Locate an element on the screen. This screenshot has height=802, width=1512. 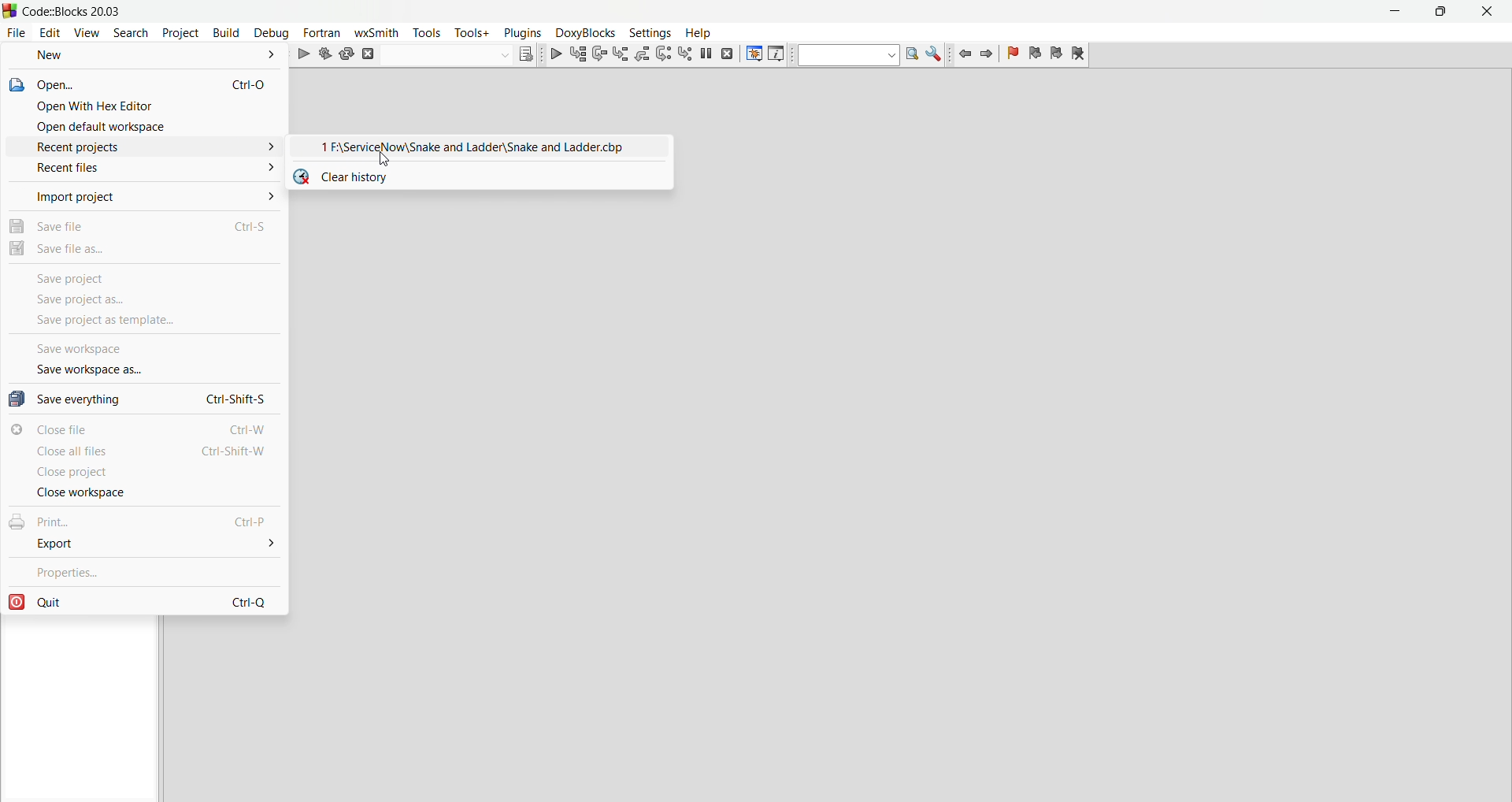
import project is located at coordinates (144, 195).